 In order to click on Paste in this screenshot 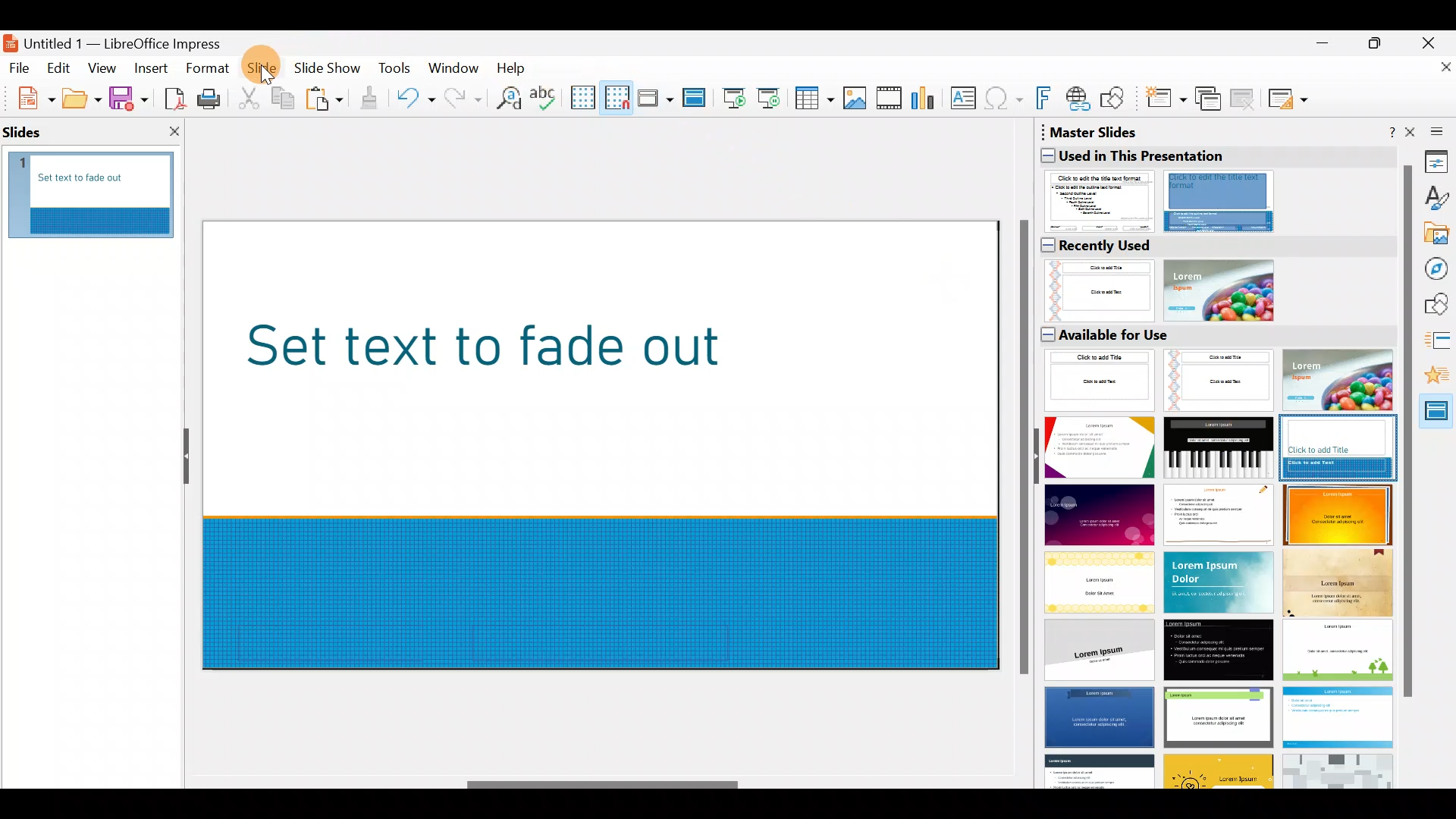, I will do `click(326, 101)`.